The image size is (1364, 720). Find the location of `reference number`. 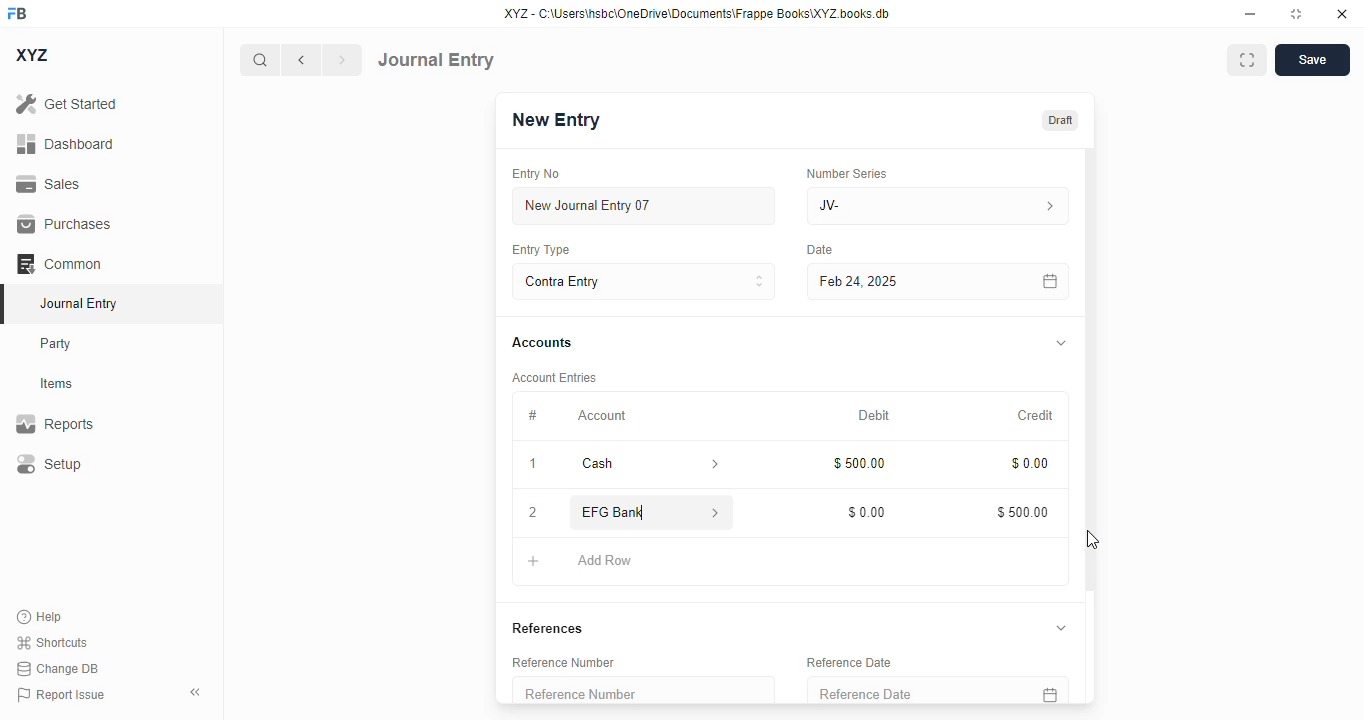

reference number is located at coordinates (562, 661).